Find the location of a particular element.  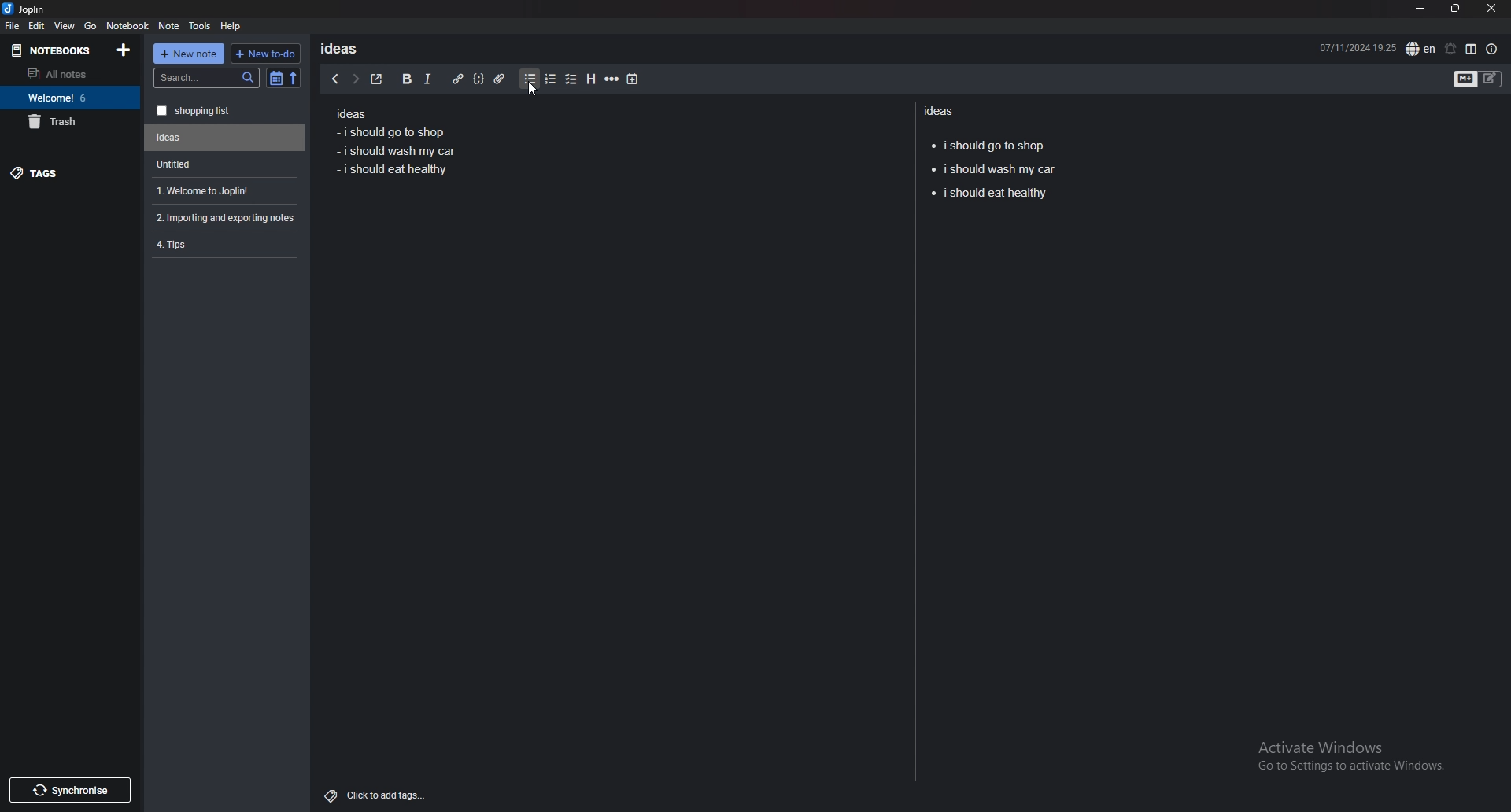

all notes is located at coordinates (67, 74).